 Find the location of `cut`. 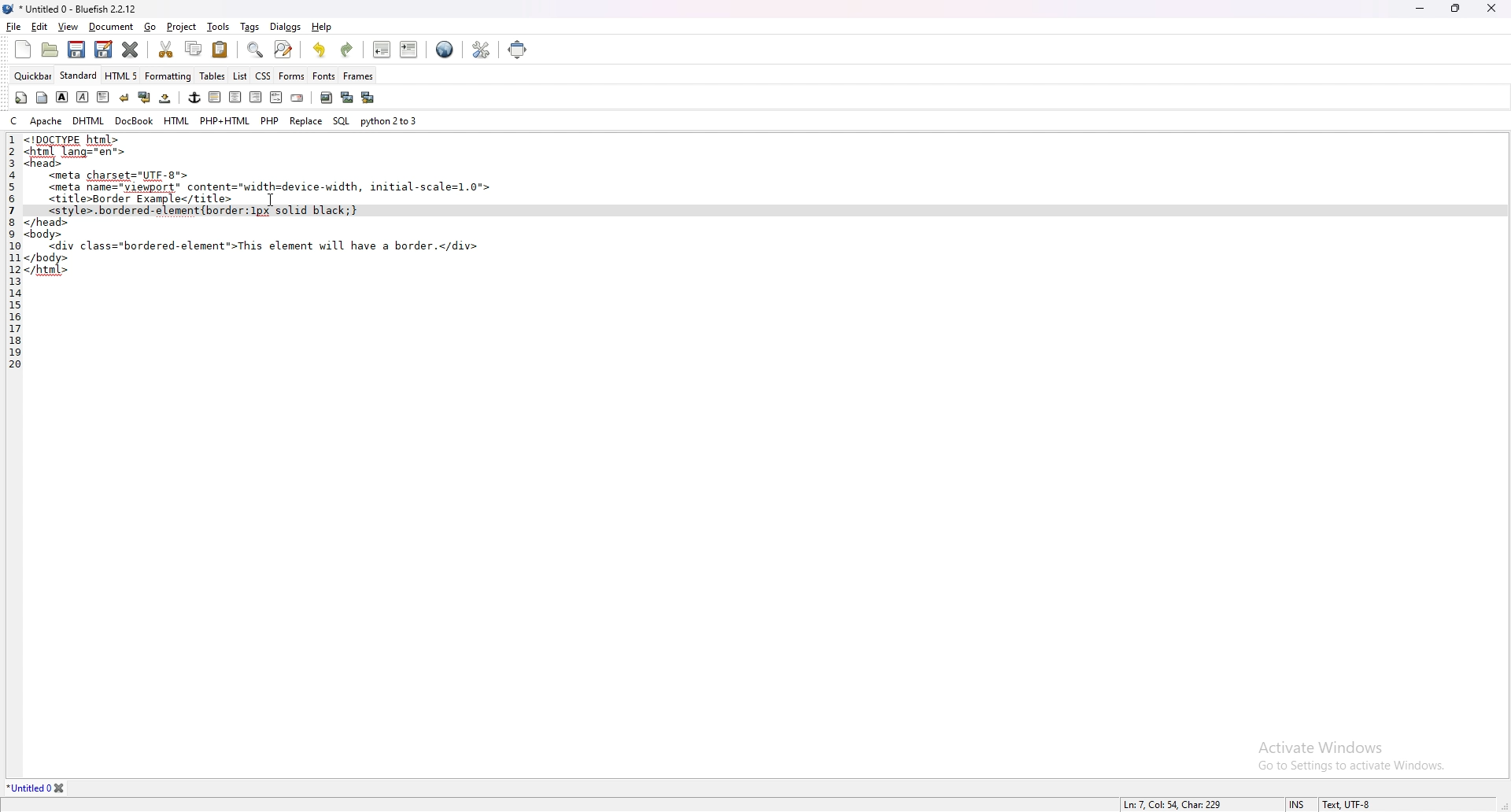

cut is located at coordinates (165, 48).